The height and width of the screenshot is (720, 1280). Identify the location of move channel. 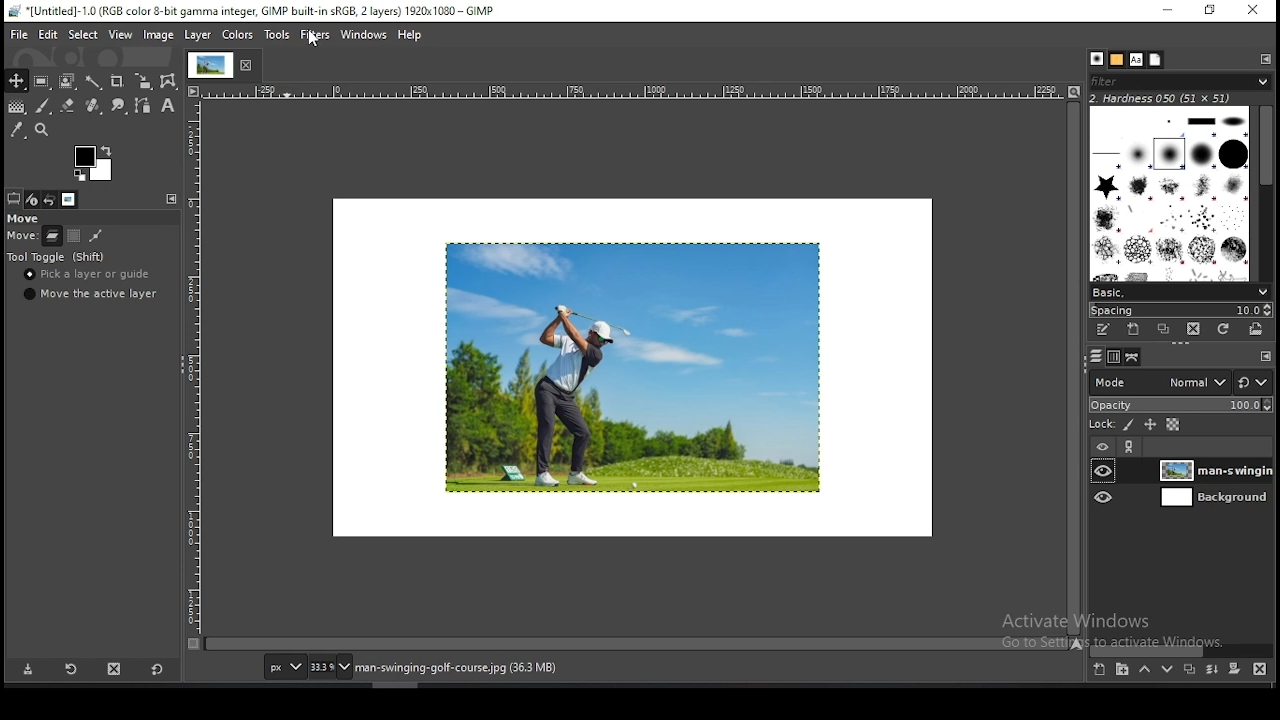
(76, 234).